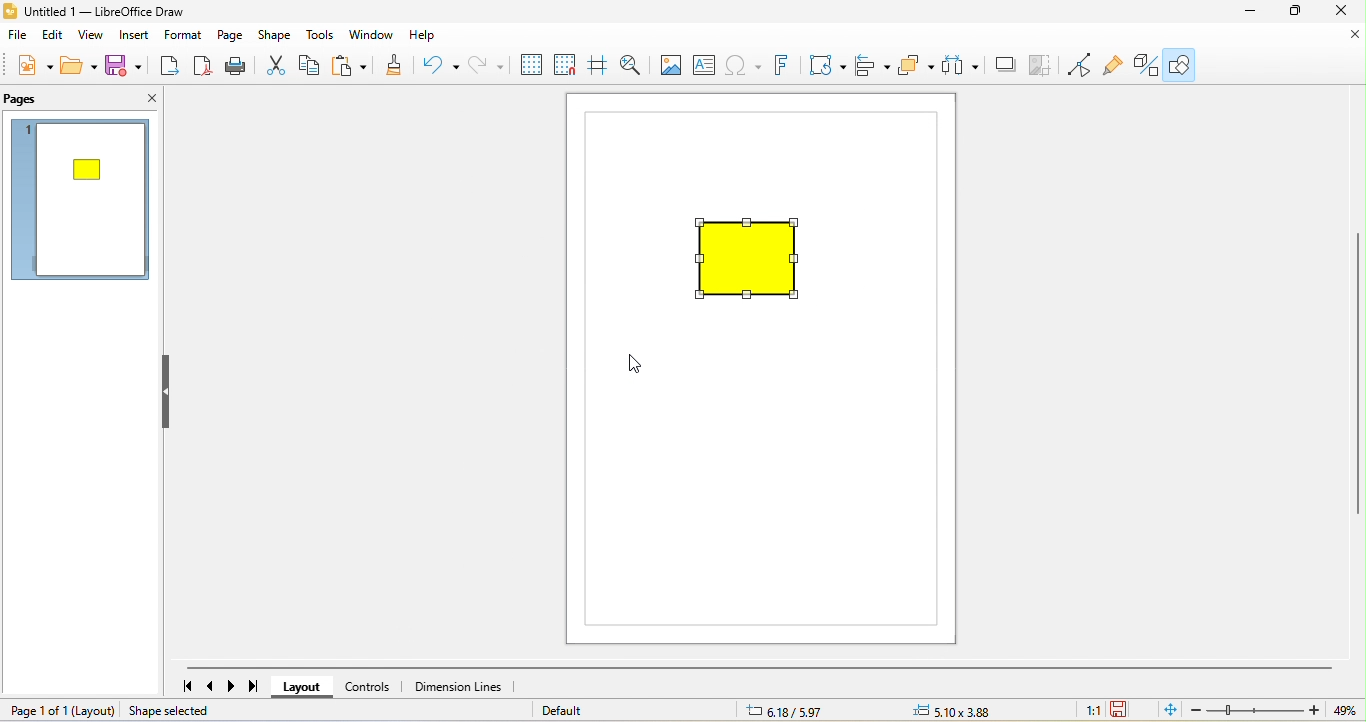  What do you see at coordinates (630, 361) in the screenshot?
I see `cursor` at bounding box center [630, 361].